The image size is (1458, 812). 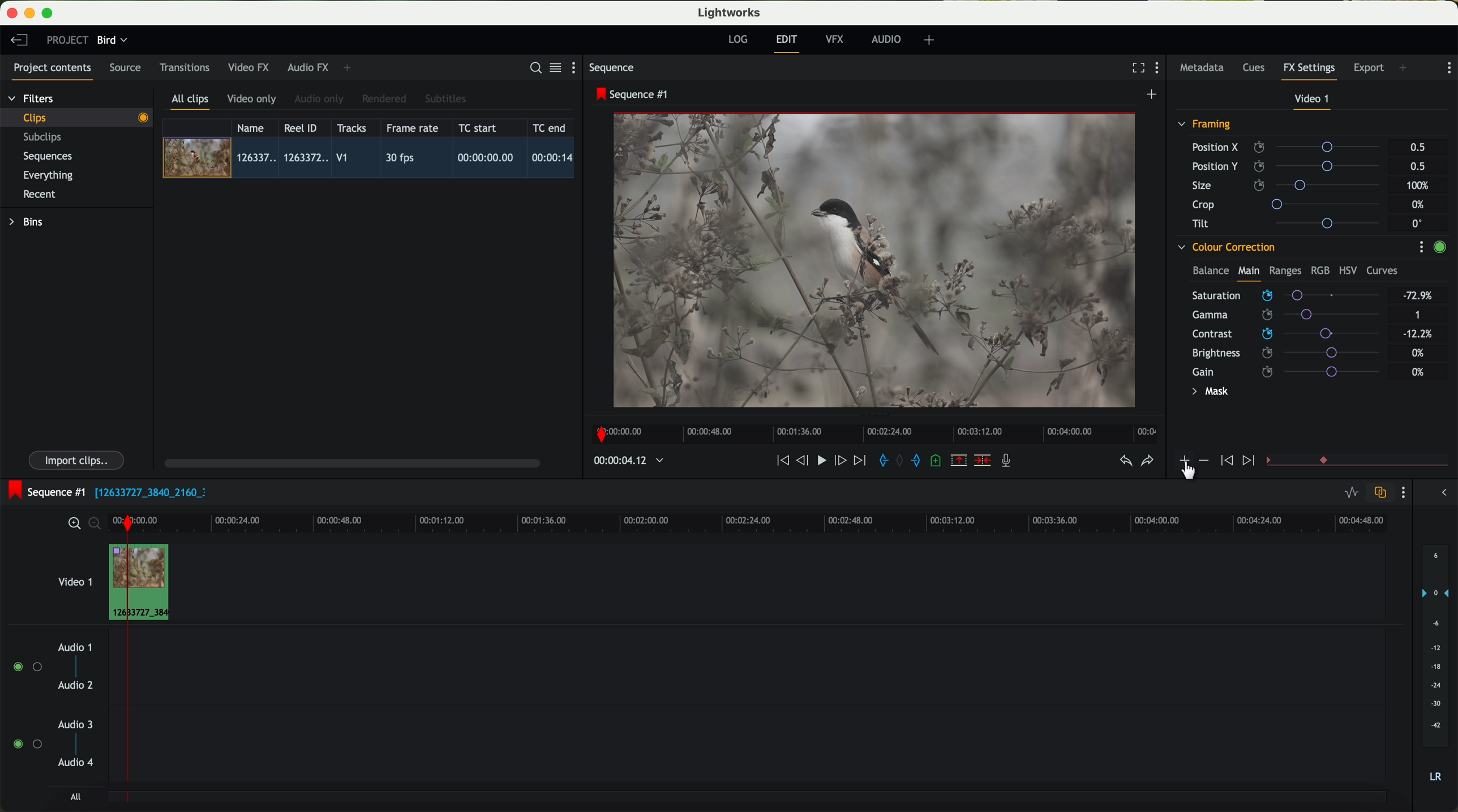 What do you see at coordinates (1293, 371) in the screenshot?
I see `gain` at bounding box center [1293, 371].